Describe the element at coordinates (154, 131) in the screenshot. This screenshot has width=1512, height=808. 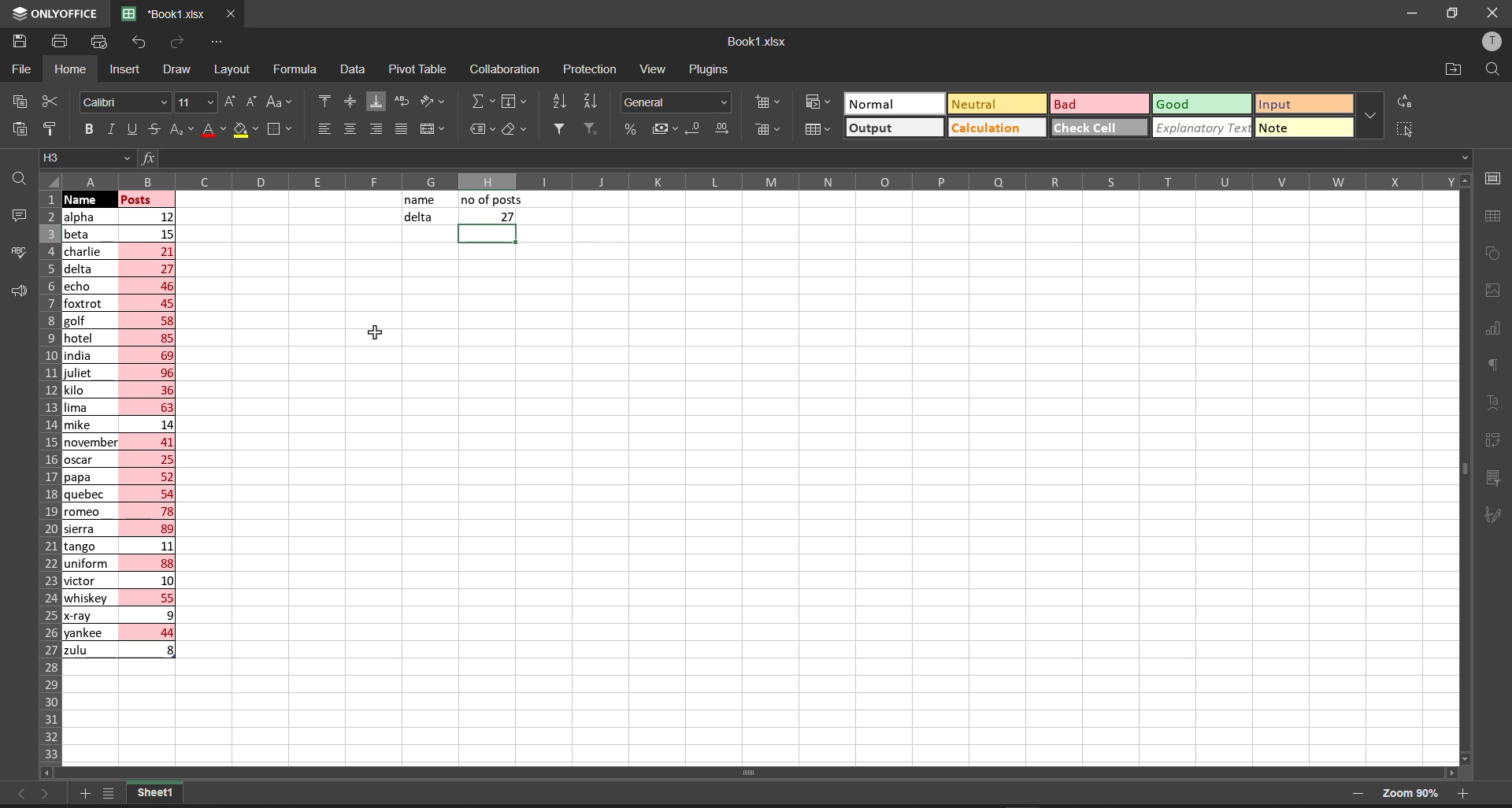
I see `strikethrough` at that location.